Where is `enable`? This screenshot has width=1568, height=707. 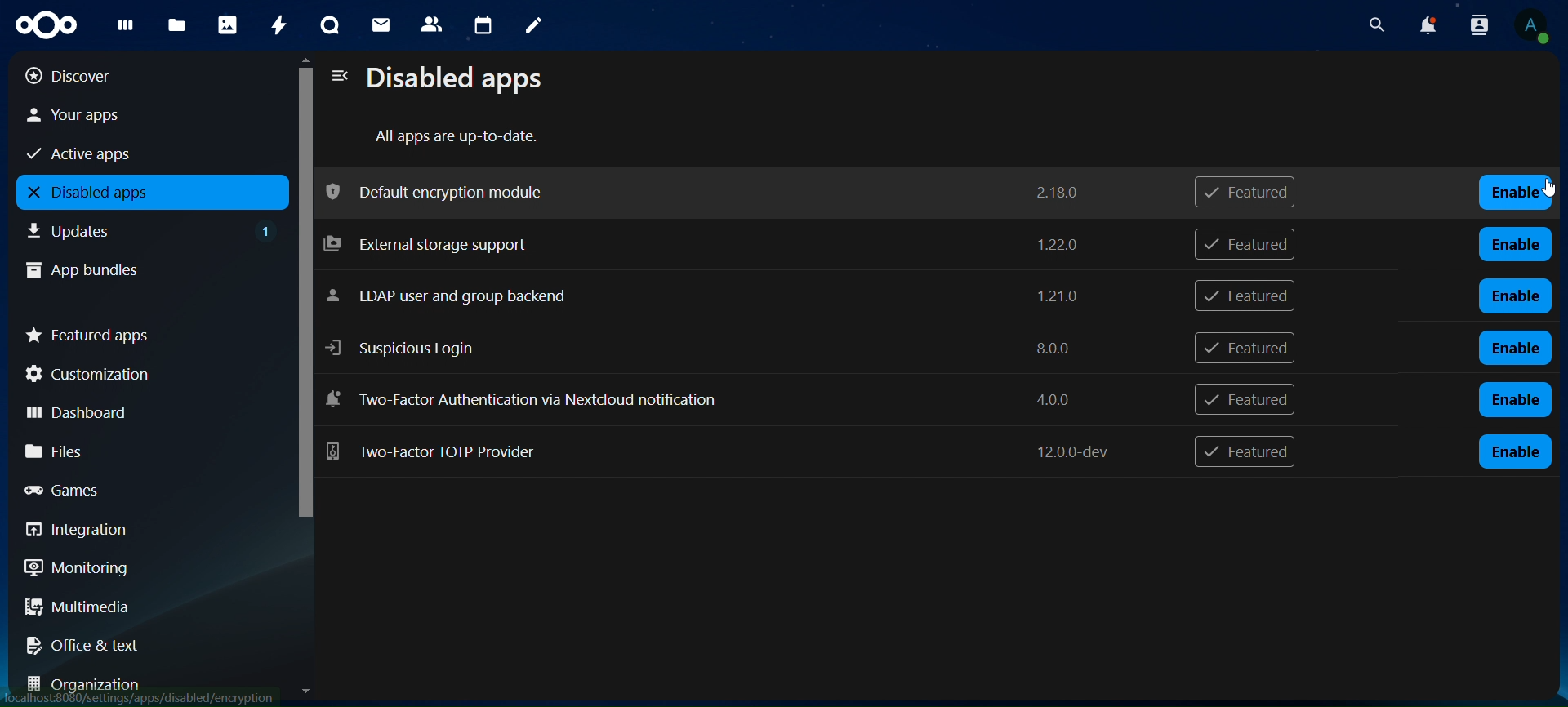 enable is located at coordinates (1515, 399).